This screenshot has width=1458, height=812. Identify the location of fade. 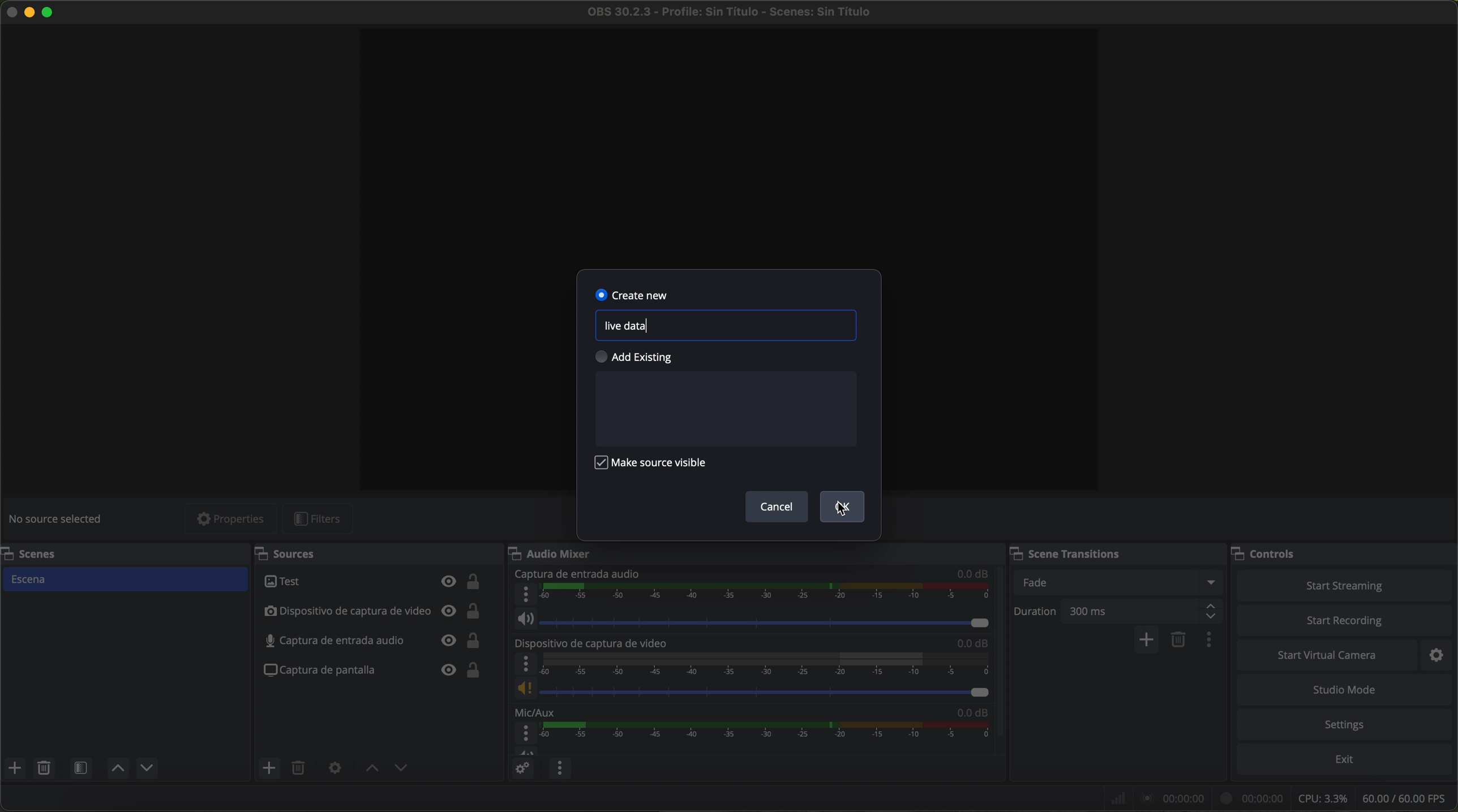
(1121, 582).